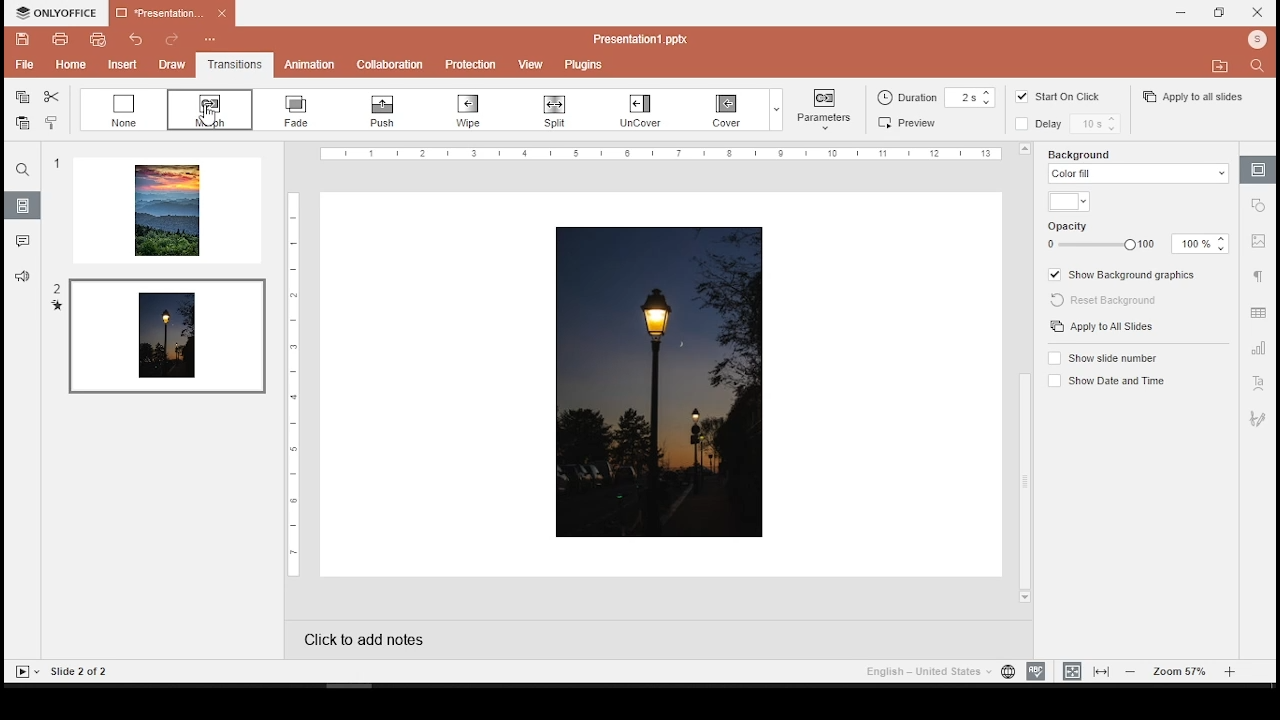 The image size is (1280, 720). Describe the element at coordinates (1260, 13) in the screenshot. I see `close window` at that location.